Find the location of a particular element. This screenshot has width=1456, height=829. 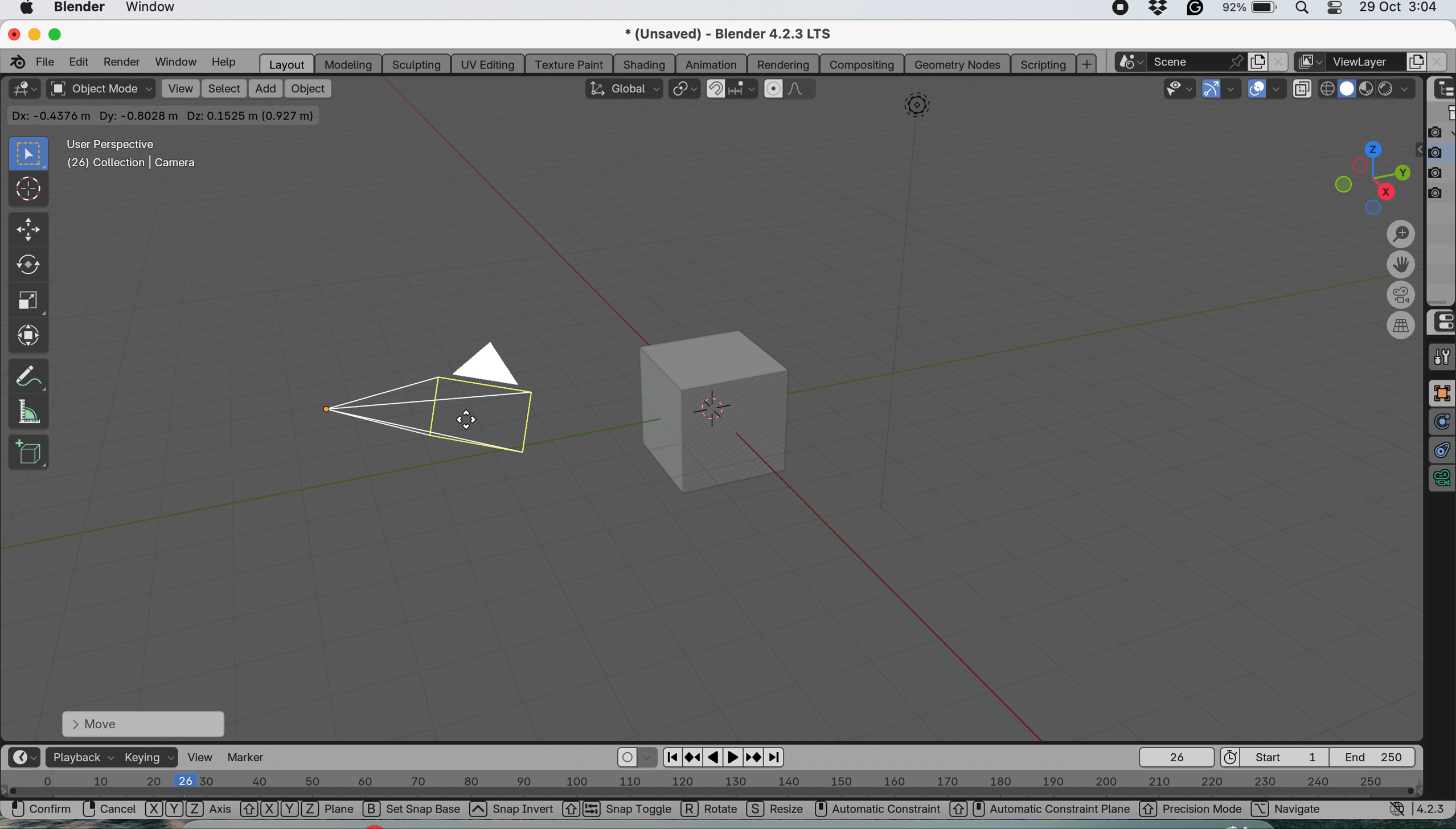

maximise is located at coordinates (59, 34).